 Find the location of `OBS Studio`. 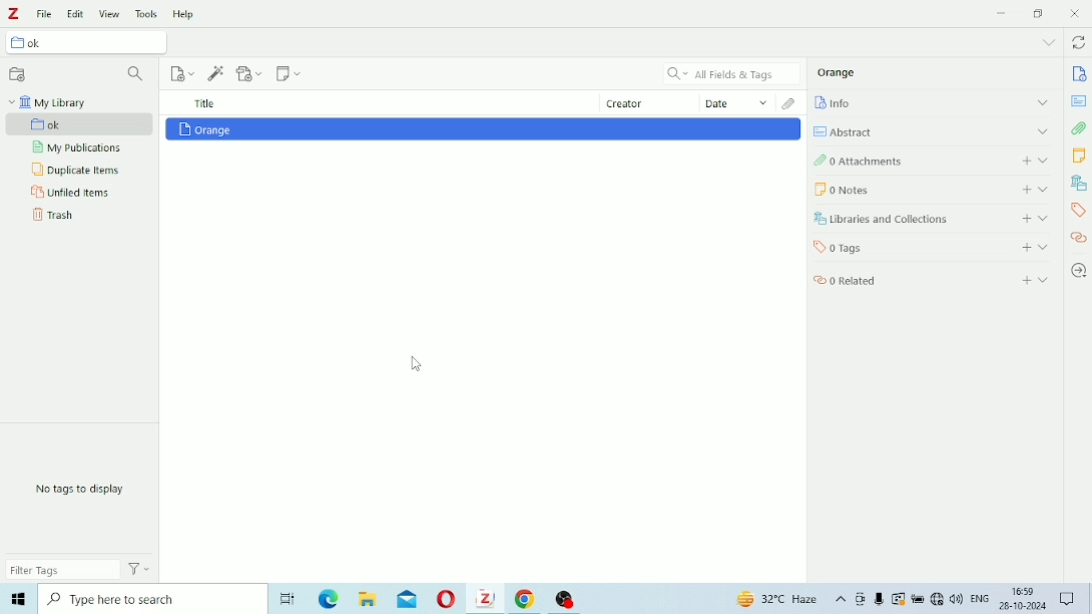

OBS Studio is located at coordinates (566, 600).